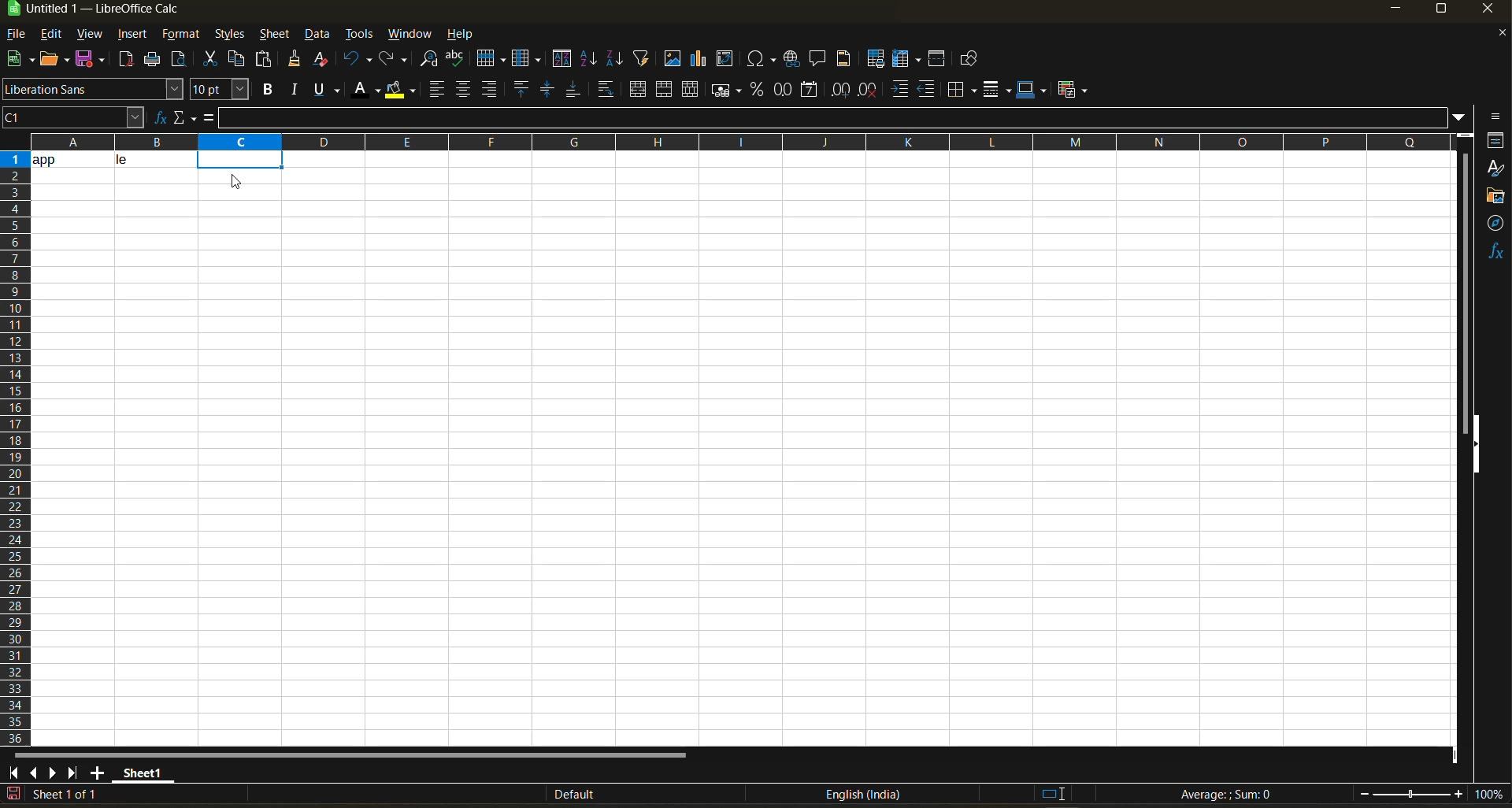  Describe the element at coordinates (862, 794) in the screenshot. I see `text language` at that location.